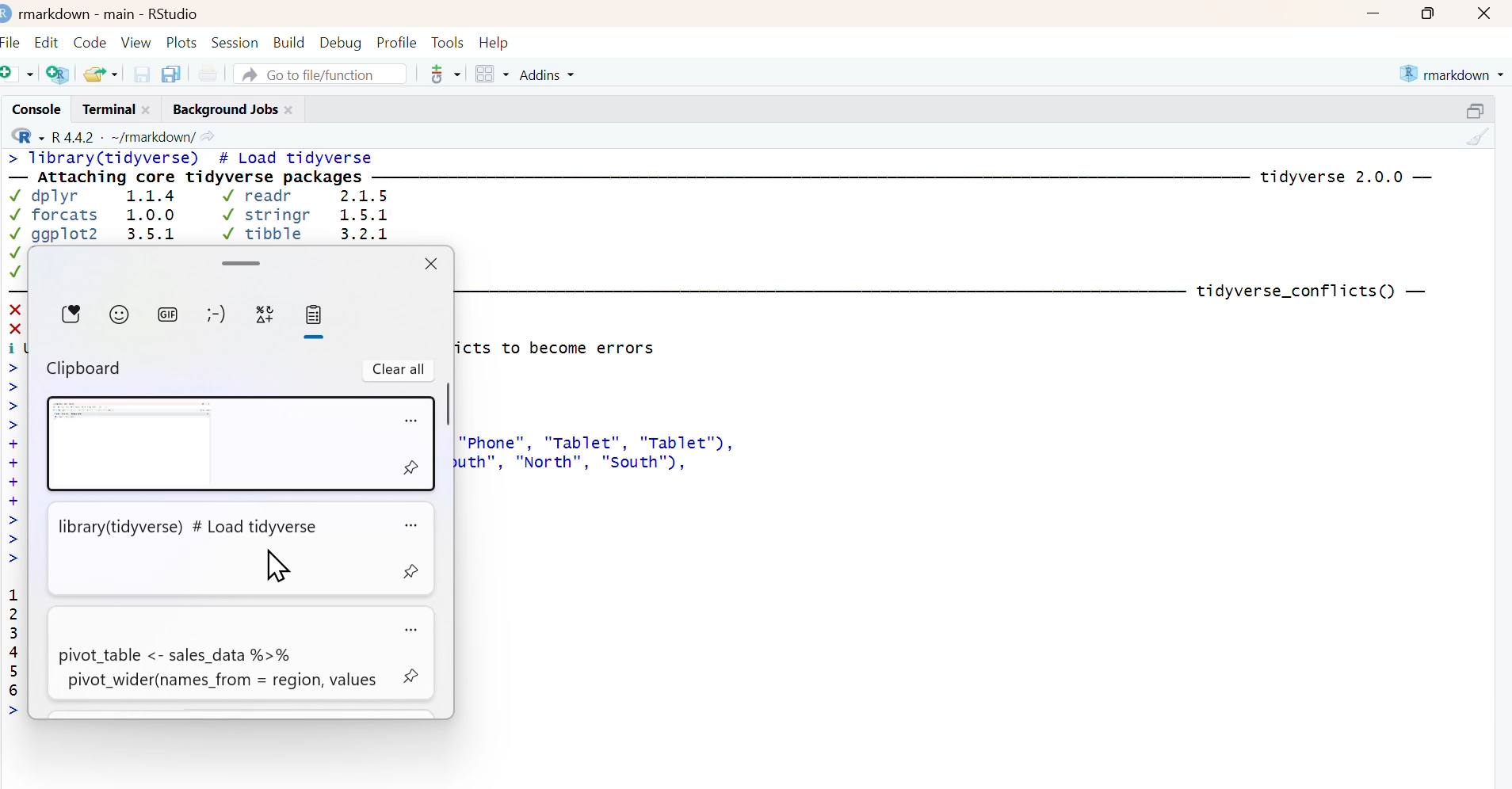 The image size is (1512, 789). What do you see at coordinates (25, 135) in the screenshot?
I see `R` at bounding box center [25, 135].